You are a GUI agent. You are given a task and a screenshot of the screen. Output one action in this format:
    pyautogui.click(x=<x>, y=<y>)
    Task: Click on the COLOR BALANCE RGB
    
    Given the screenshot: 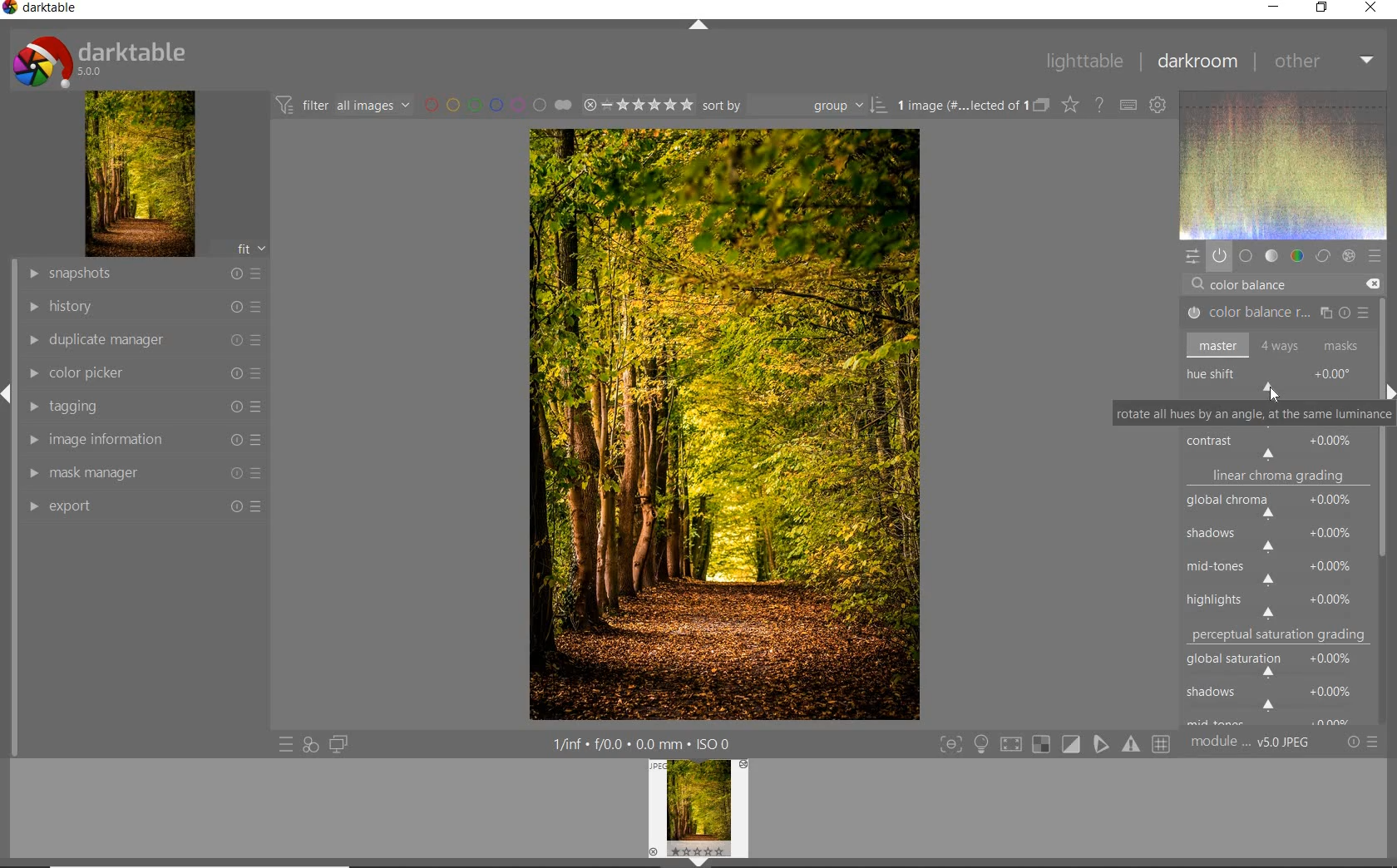 What is the action you would take?
    pyautogui.click(x=1273, y=313)
    